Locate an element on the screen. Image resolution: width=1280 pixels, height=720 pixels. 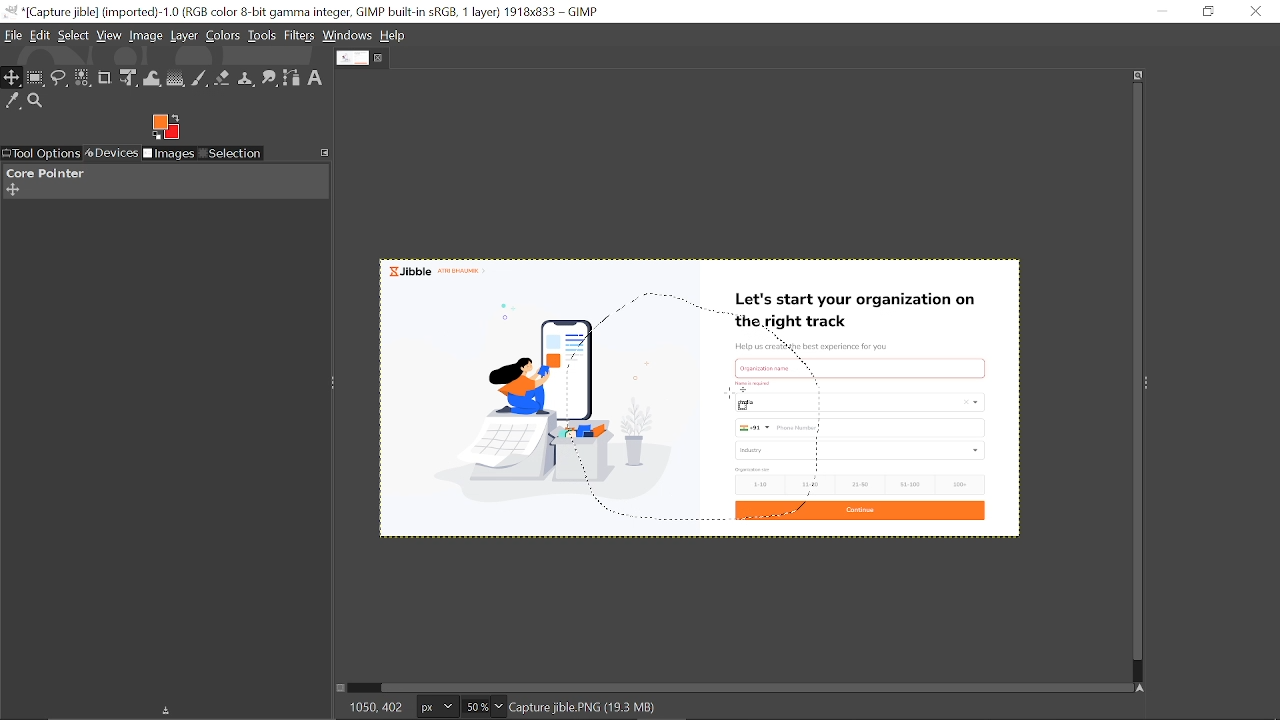
Cursor here is located at coordinates (730, 394).